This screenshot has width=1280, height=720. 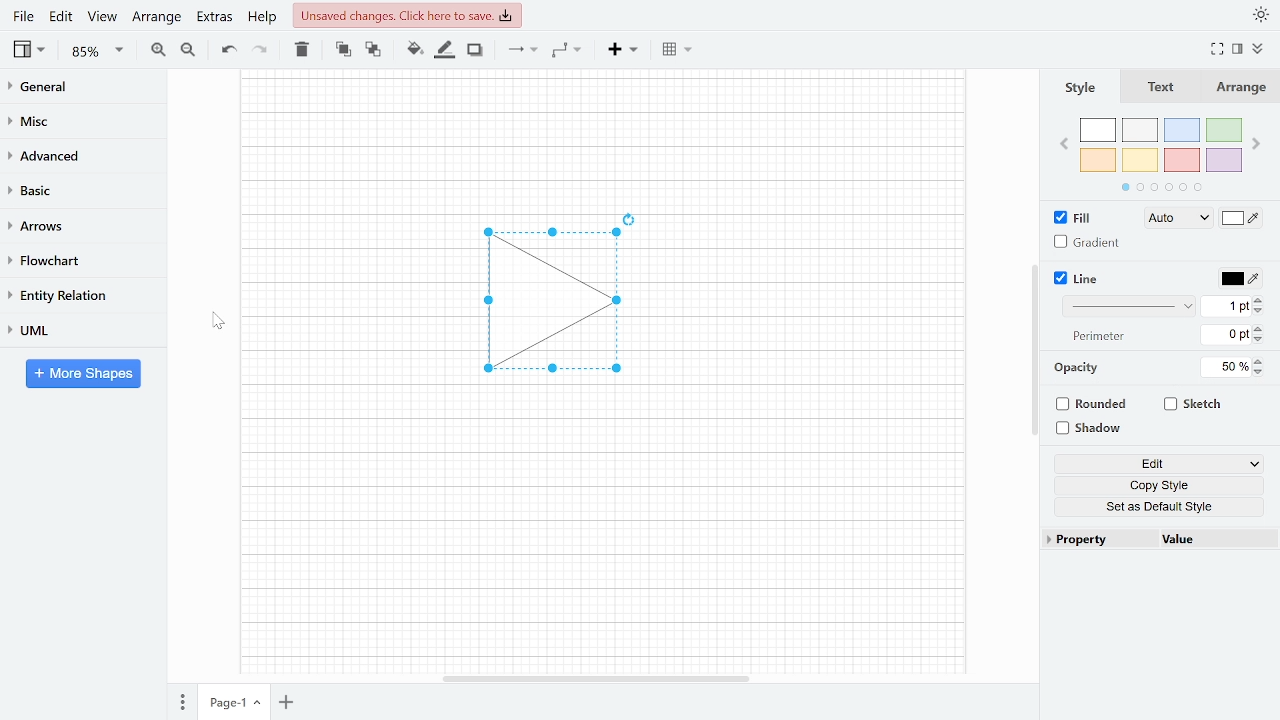 What do you see at coordinates (102, 16) in the screenshot?
I see `View` at bounding box center [102, 16].